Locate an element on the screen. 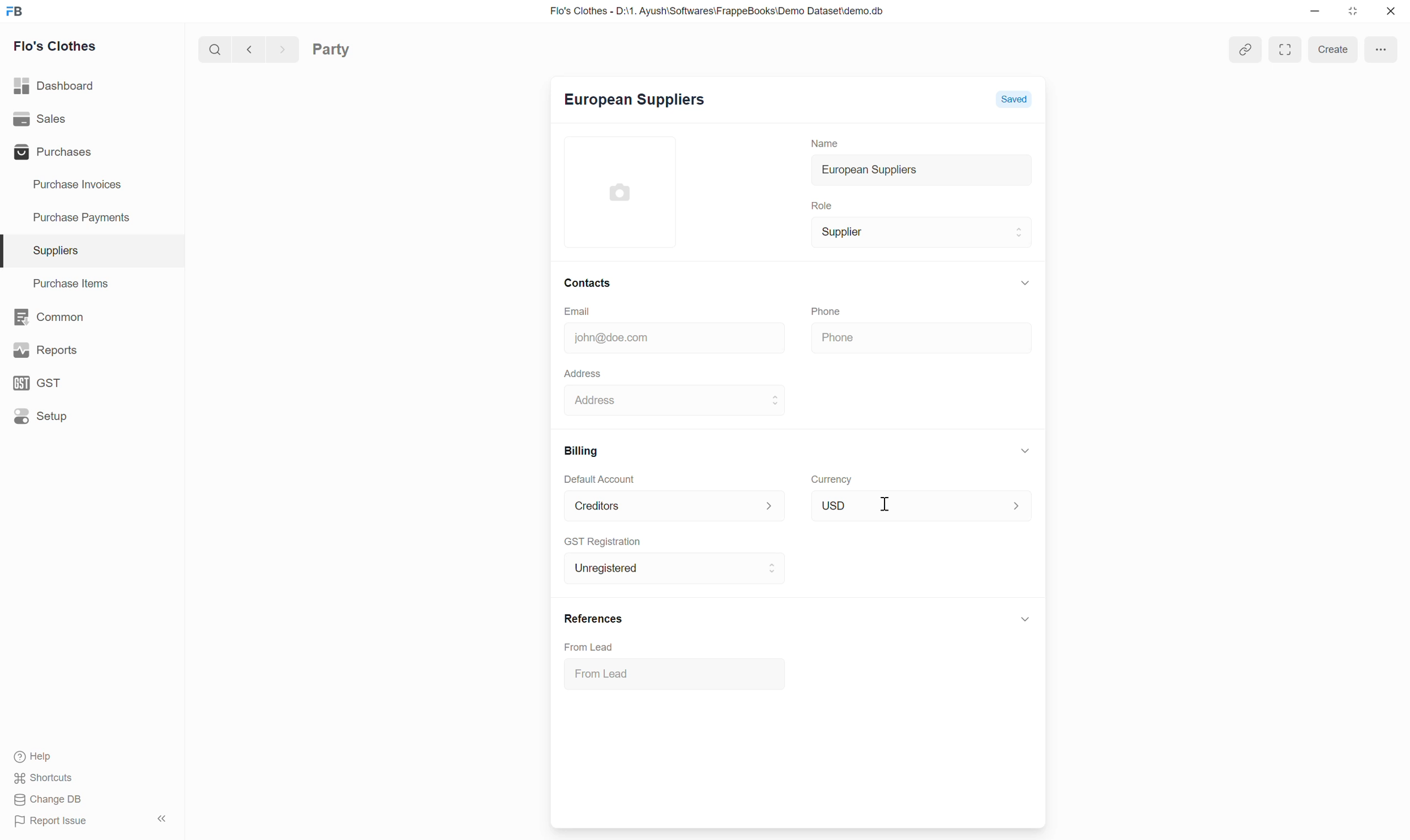 This screenshot has height=840, width=1410. Dashboard is located at coordinates (55, 82).